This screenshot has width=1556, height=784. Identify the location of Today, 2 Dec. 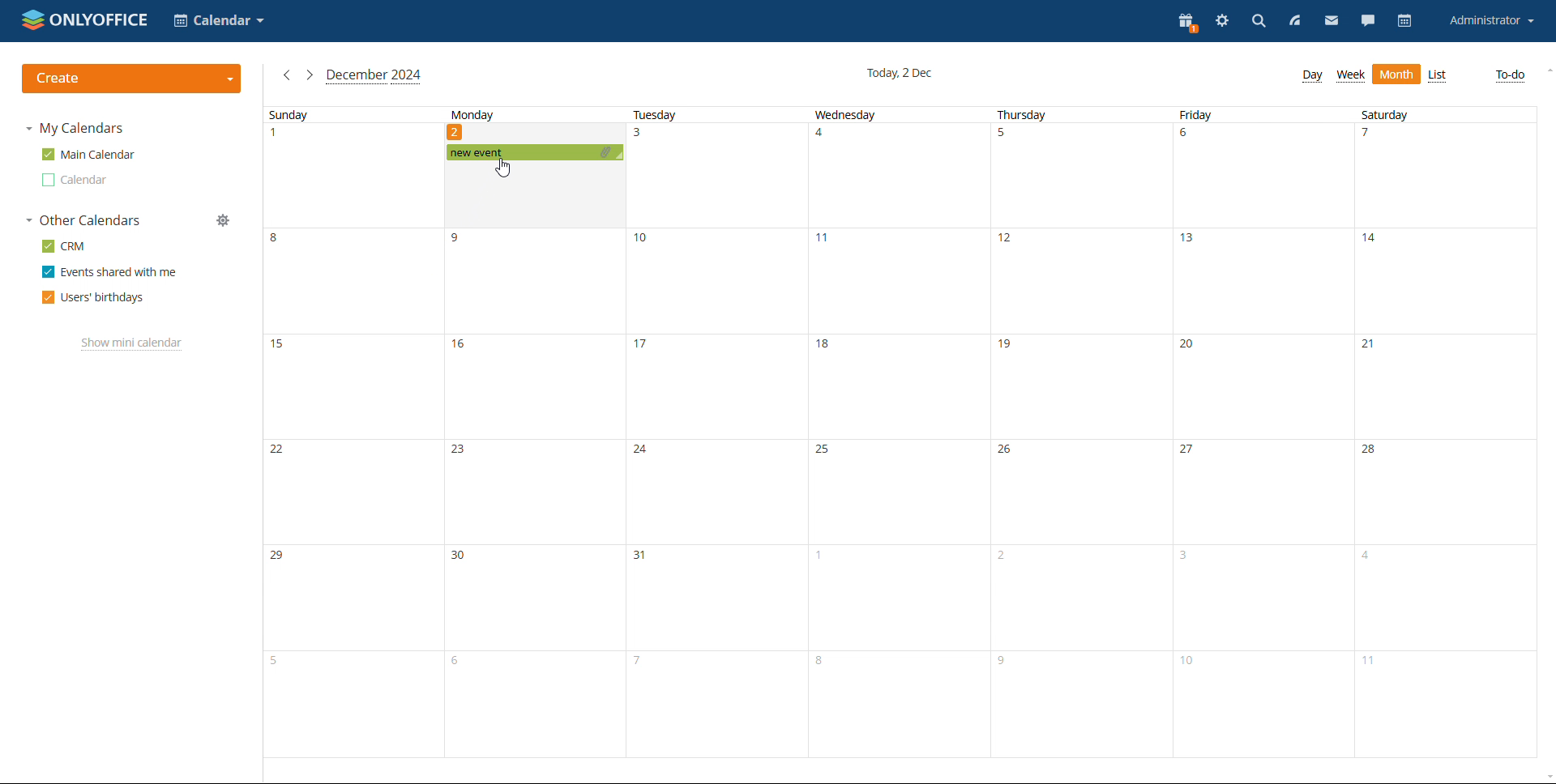
(904, 72).